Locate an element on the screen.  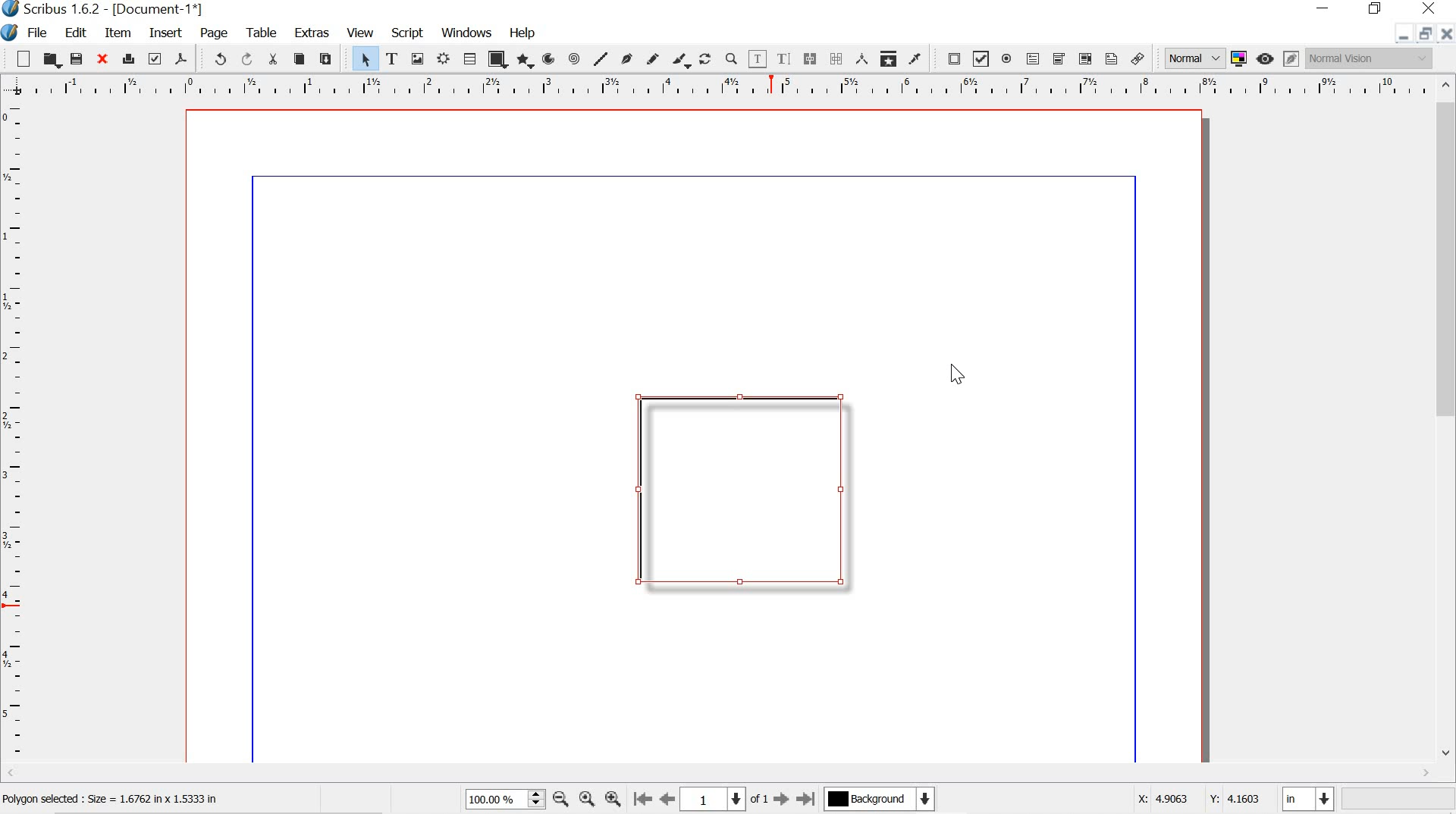
line is located at coordinates (601, 58).